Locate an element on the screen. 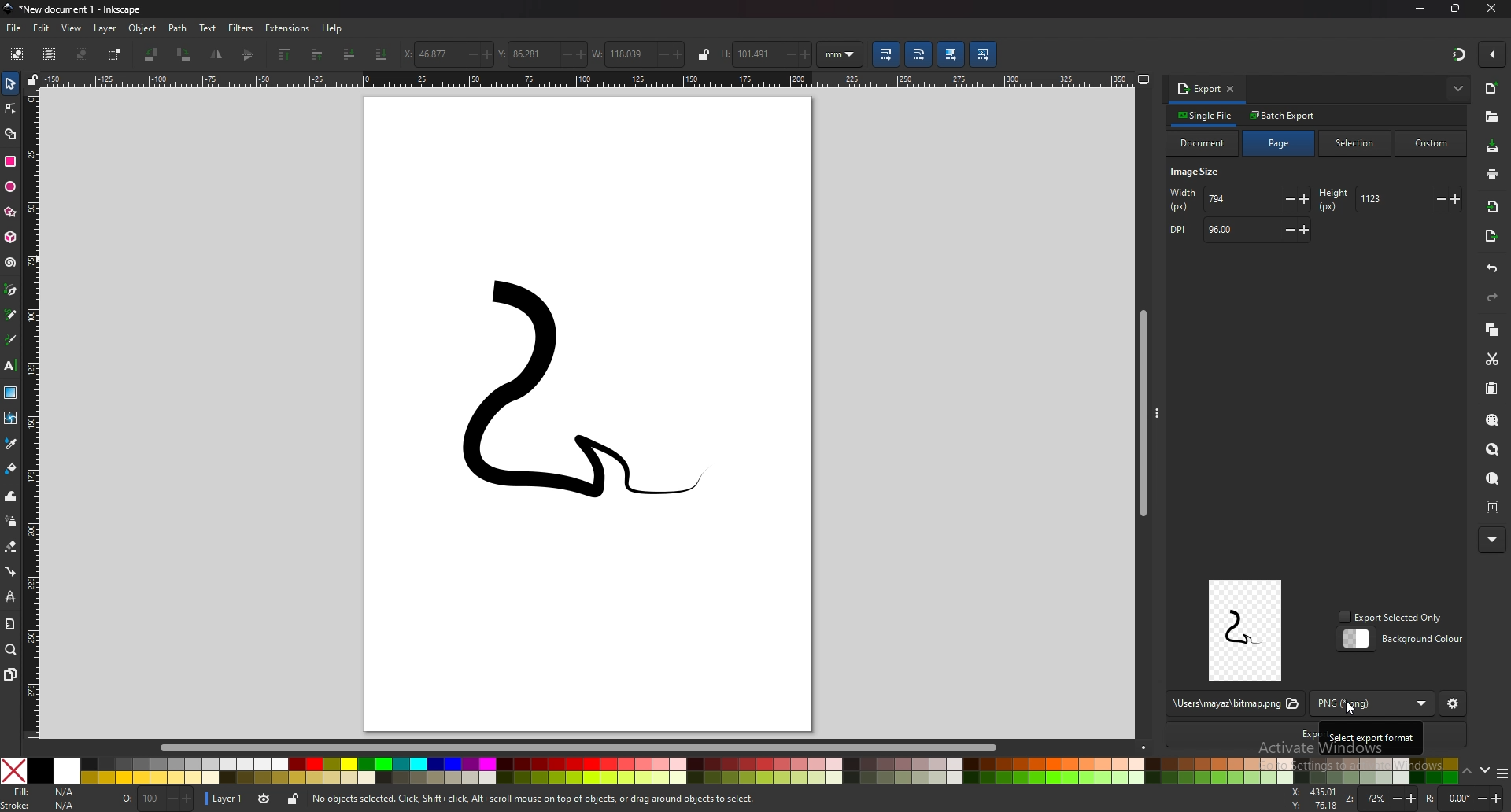  title is located at coordinates (78, 9).